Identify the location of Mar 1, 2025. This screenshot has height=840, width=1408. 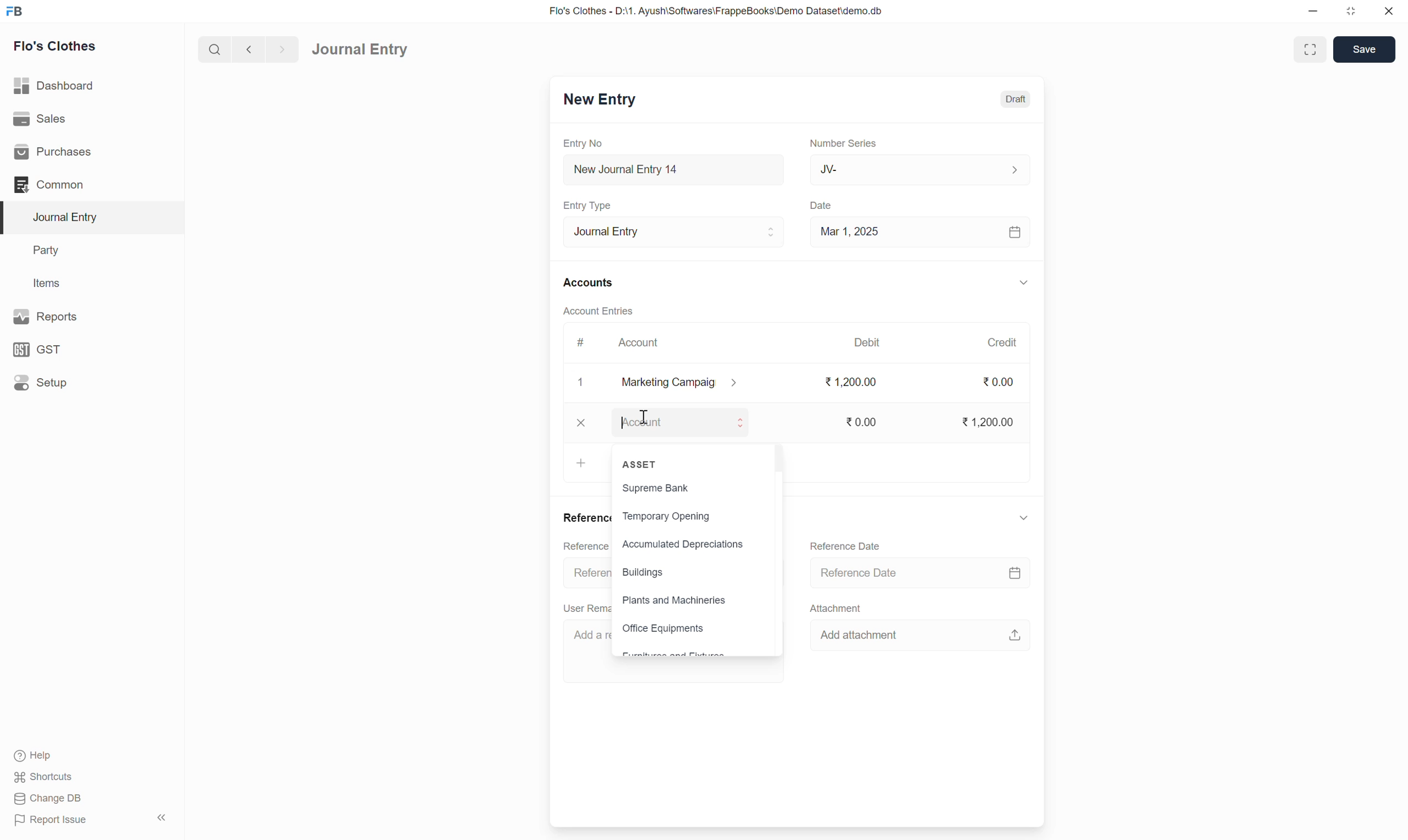
(850, 231).